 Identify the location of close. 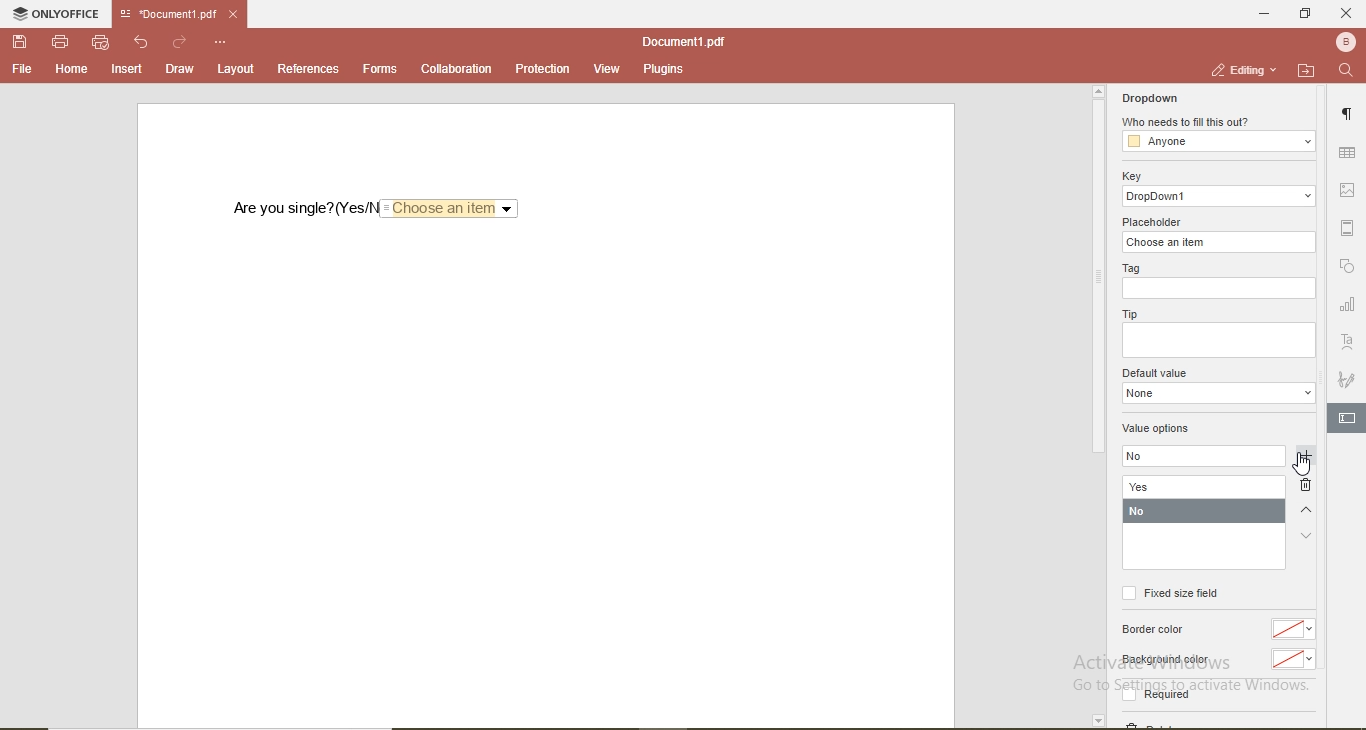
(1347, 14).